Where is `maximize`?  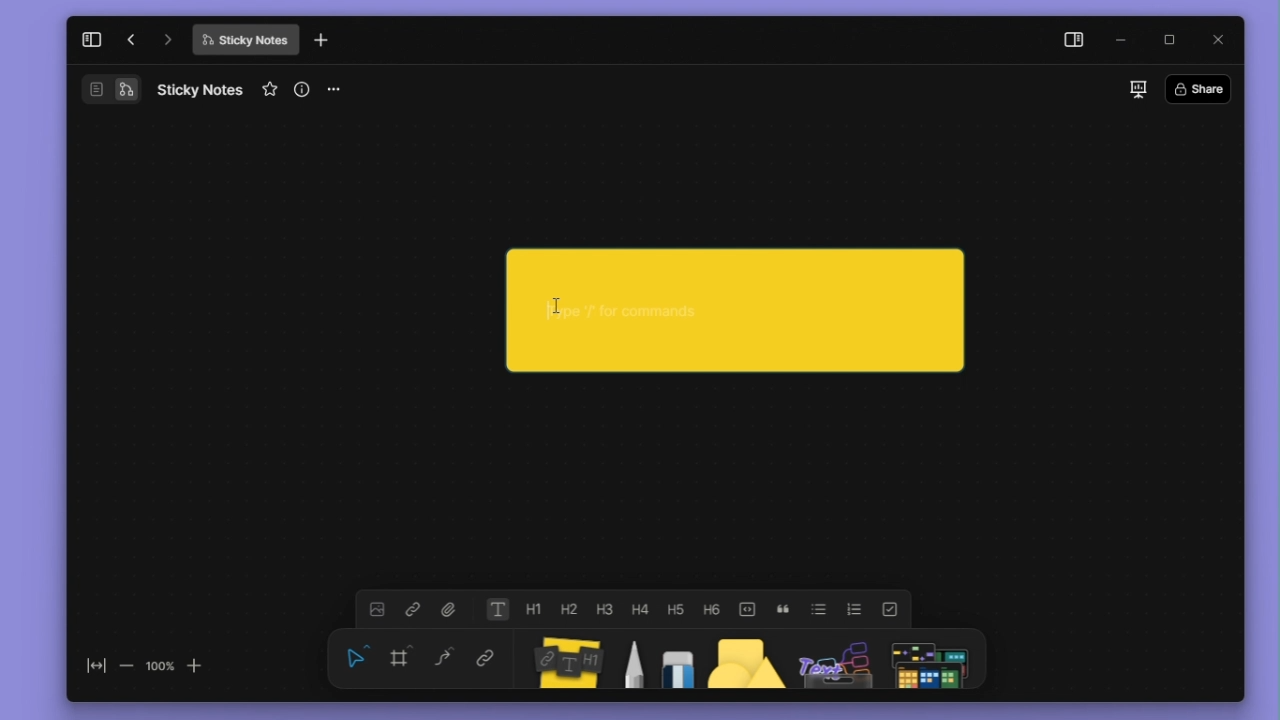 maximize is located at coordinates (1170, 40).